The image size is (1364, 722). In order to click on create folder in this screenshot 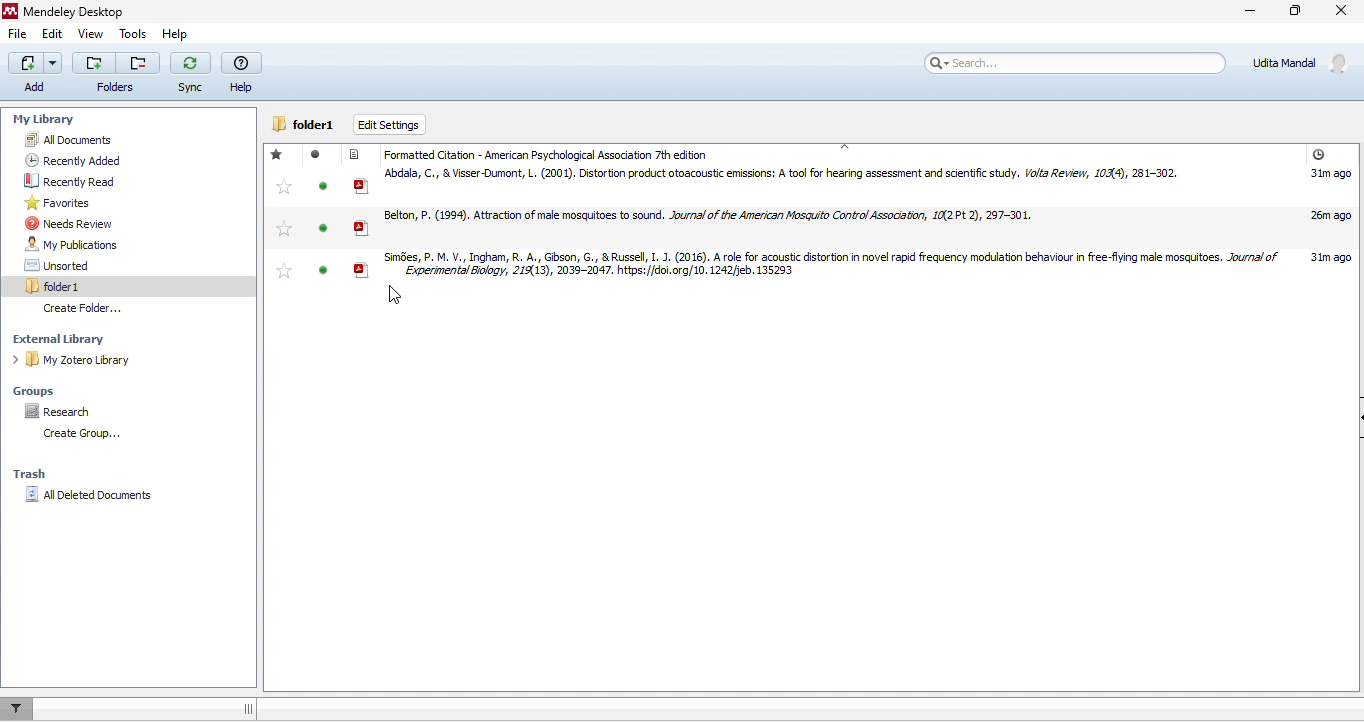, I will do `click(78, 435)`.